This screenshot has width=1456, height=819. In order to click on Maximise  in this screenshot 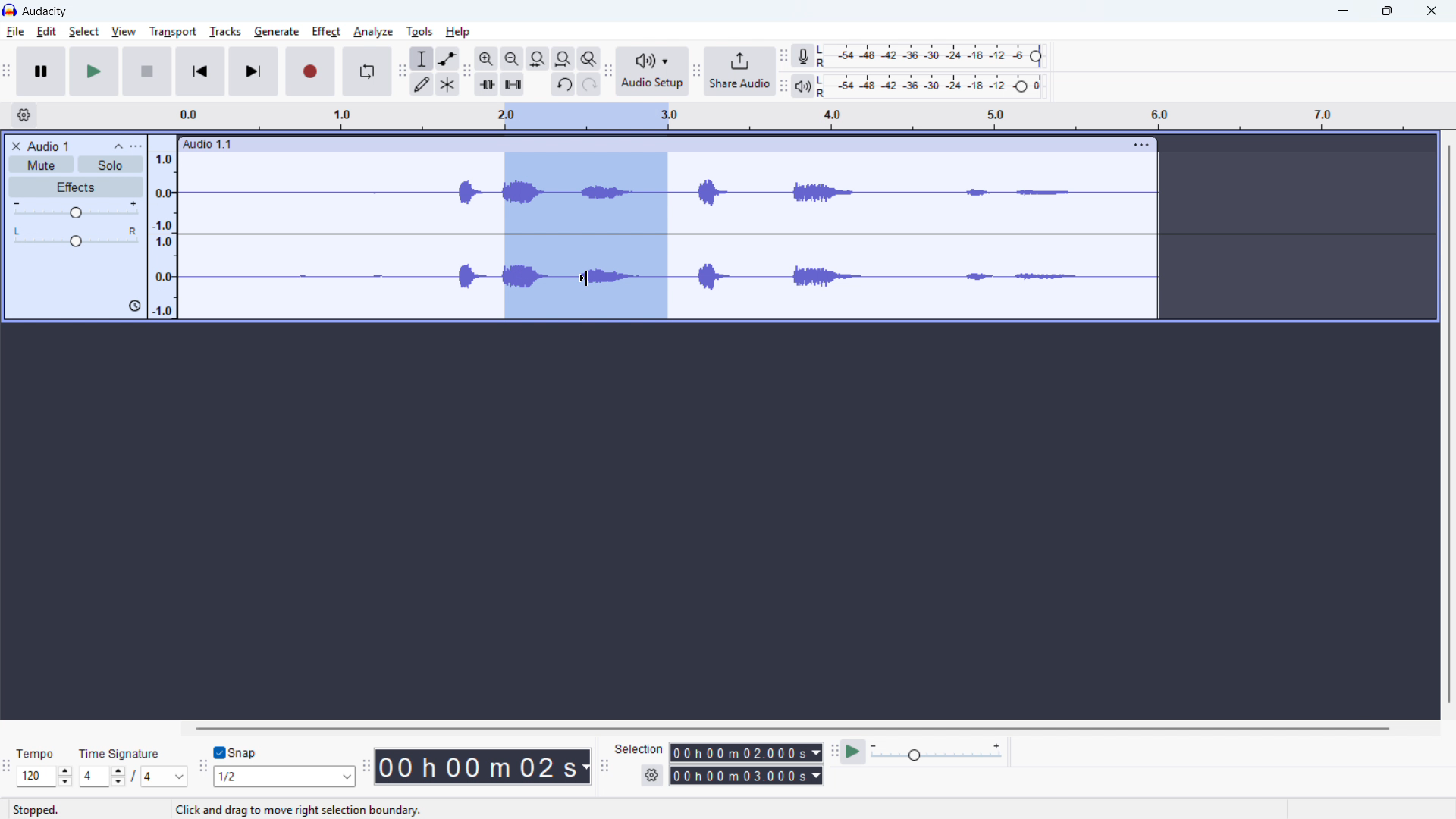, I will do `click(1388, 11)`.